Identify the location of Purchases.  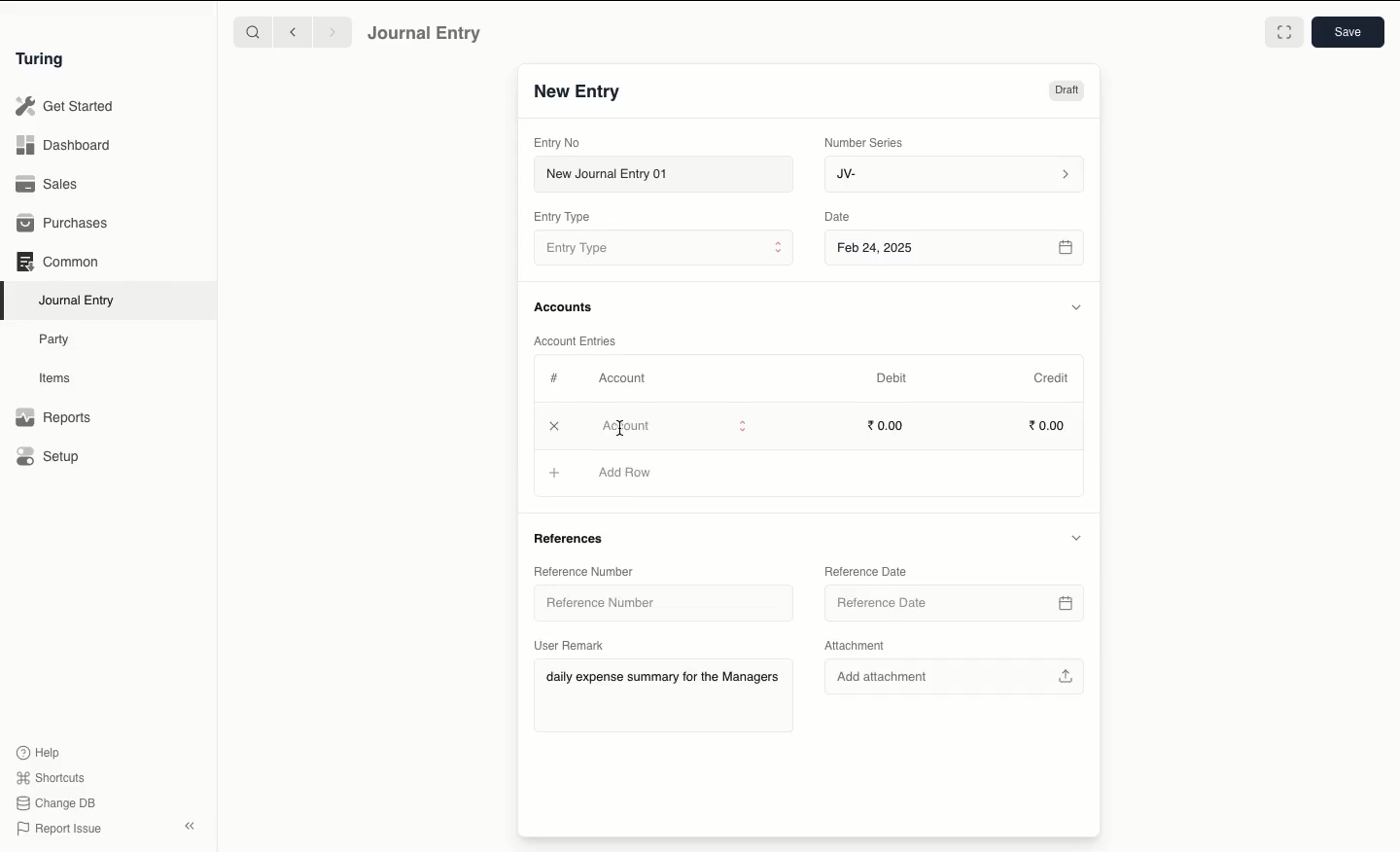
(63, 225).